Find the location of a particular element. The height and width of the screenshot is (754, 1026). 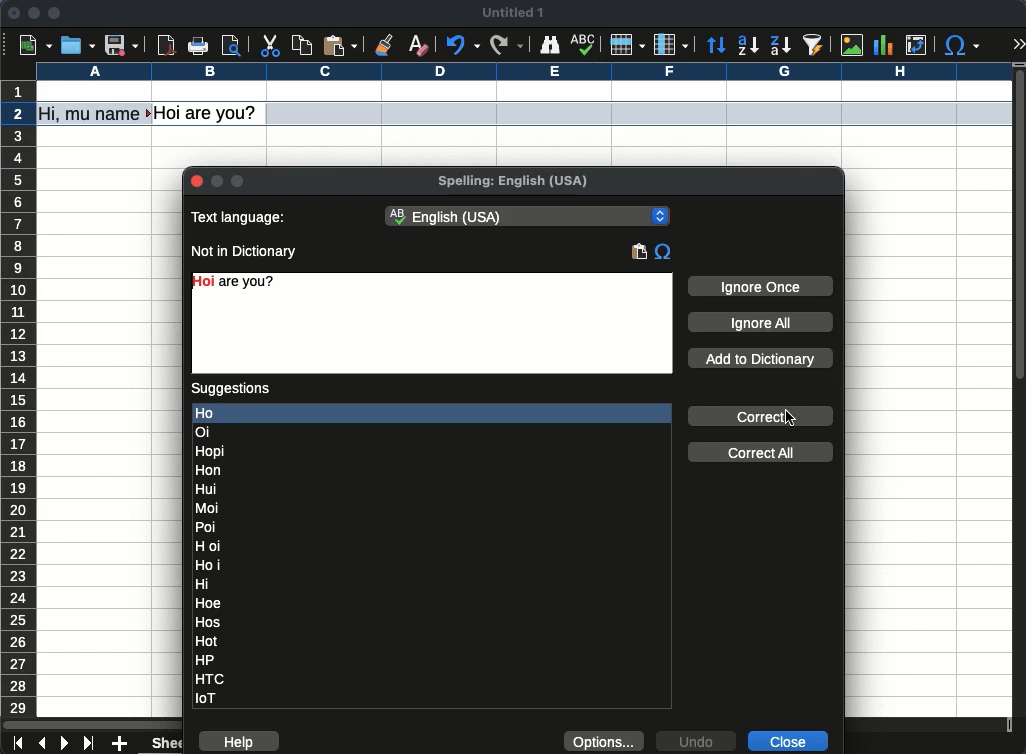

finder is located at coordinates (550, 46).